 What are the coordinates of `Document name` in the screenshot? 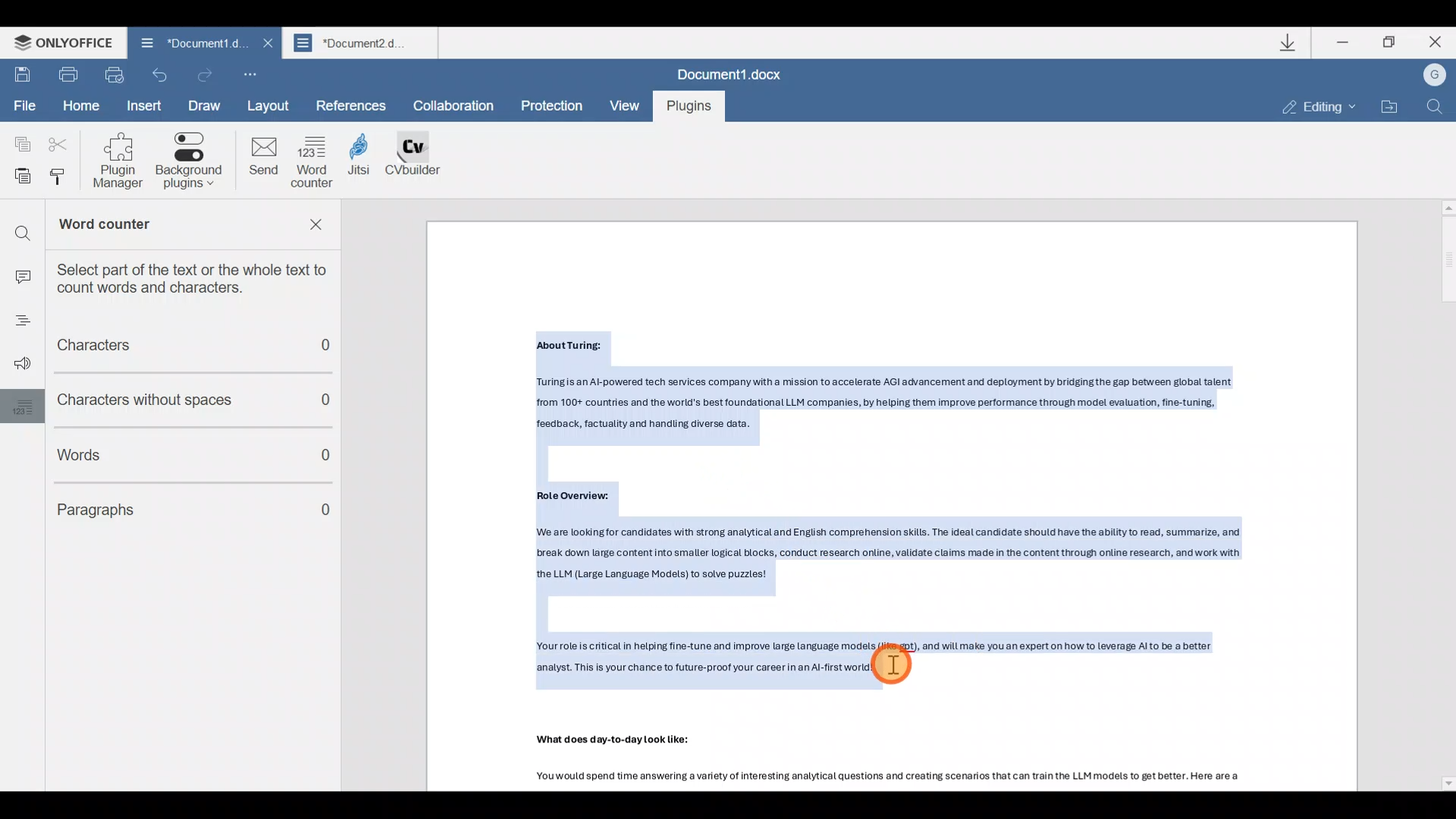 It's located at (362, 42).